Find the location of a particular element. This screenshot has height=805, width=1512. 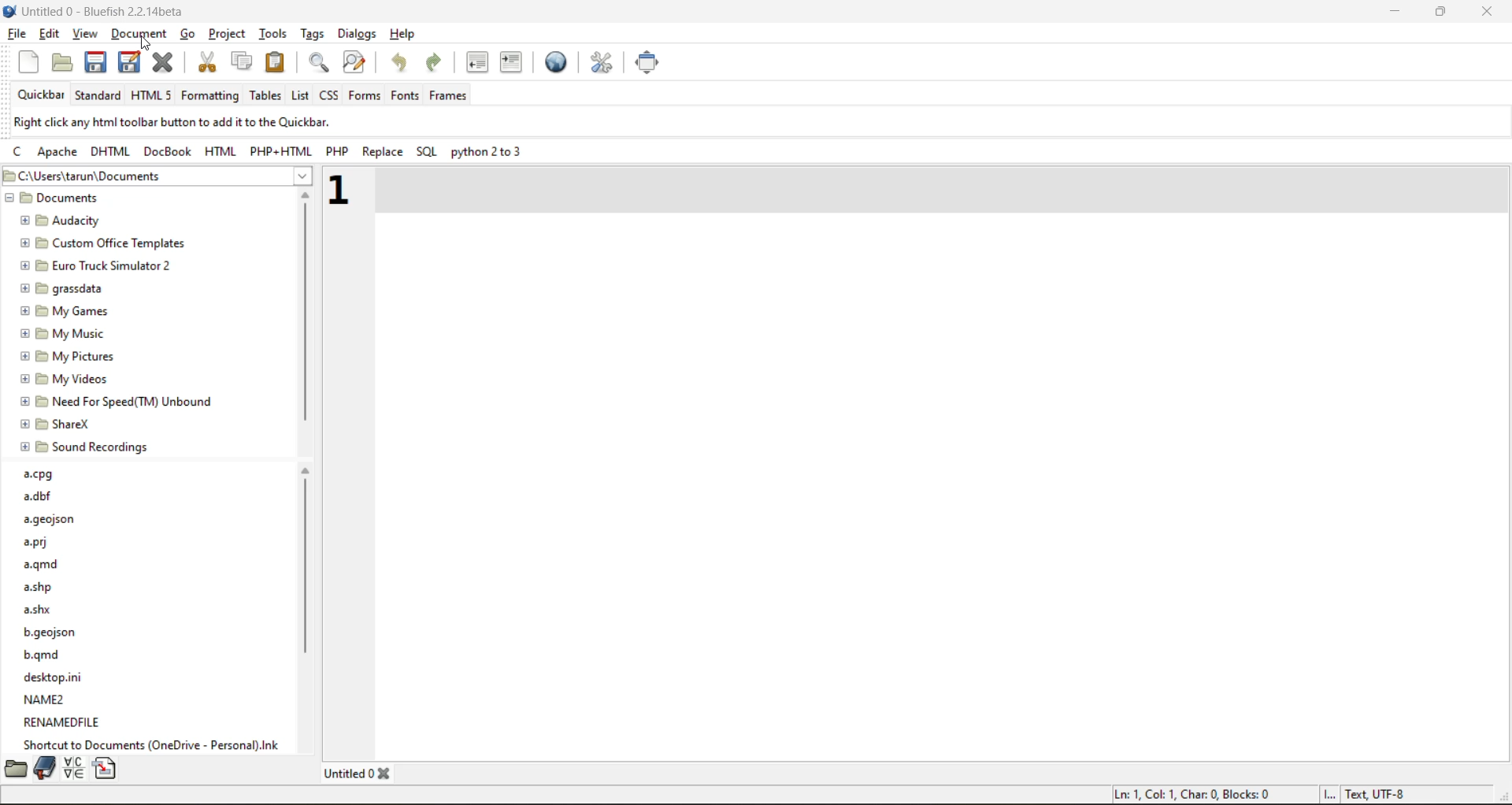

1 - increased font size is located at coordinates (346, 190).